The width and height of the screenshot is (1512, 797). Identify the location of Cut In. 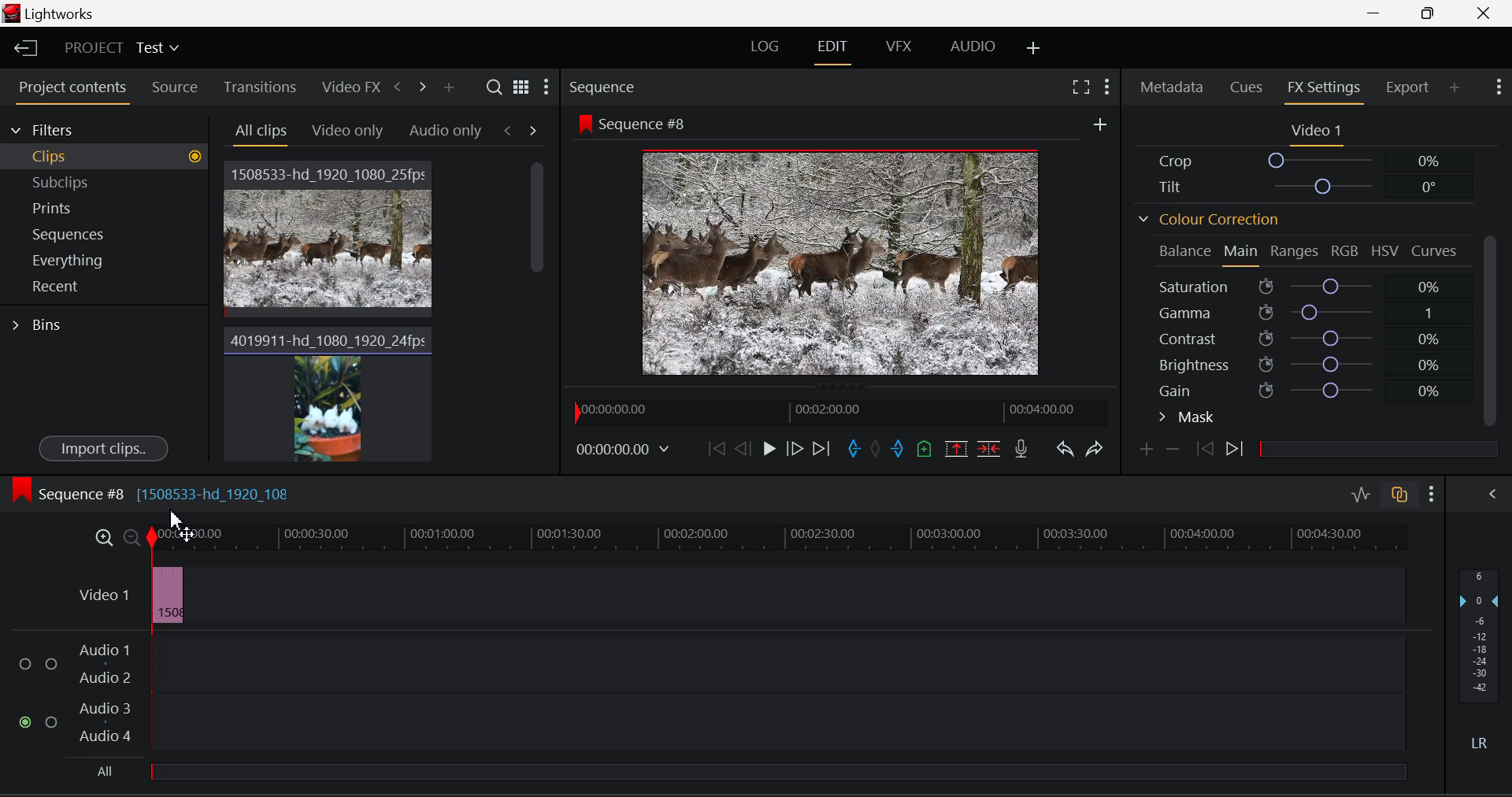
(852, 449).